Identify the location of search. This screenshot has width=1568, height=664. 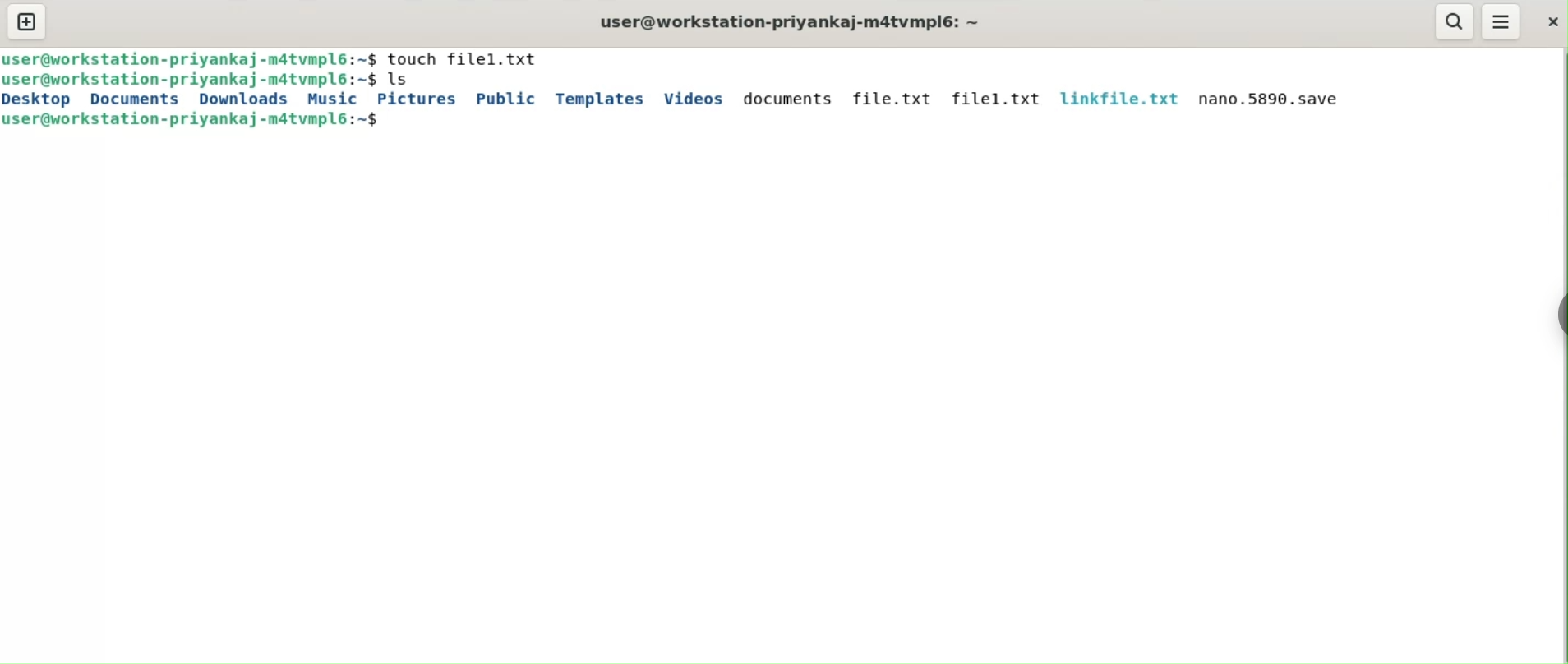
(1456, 22).